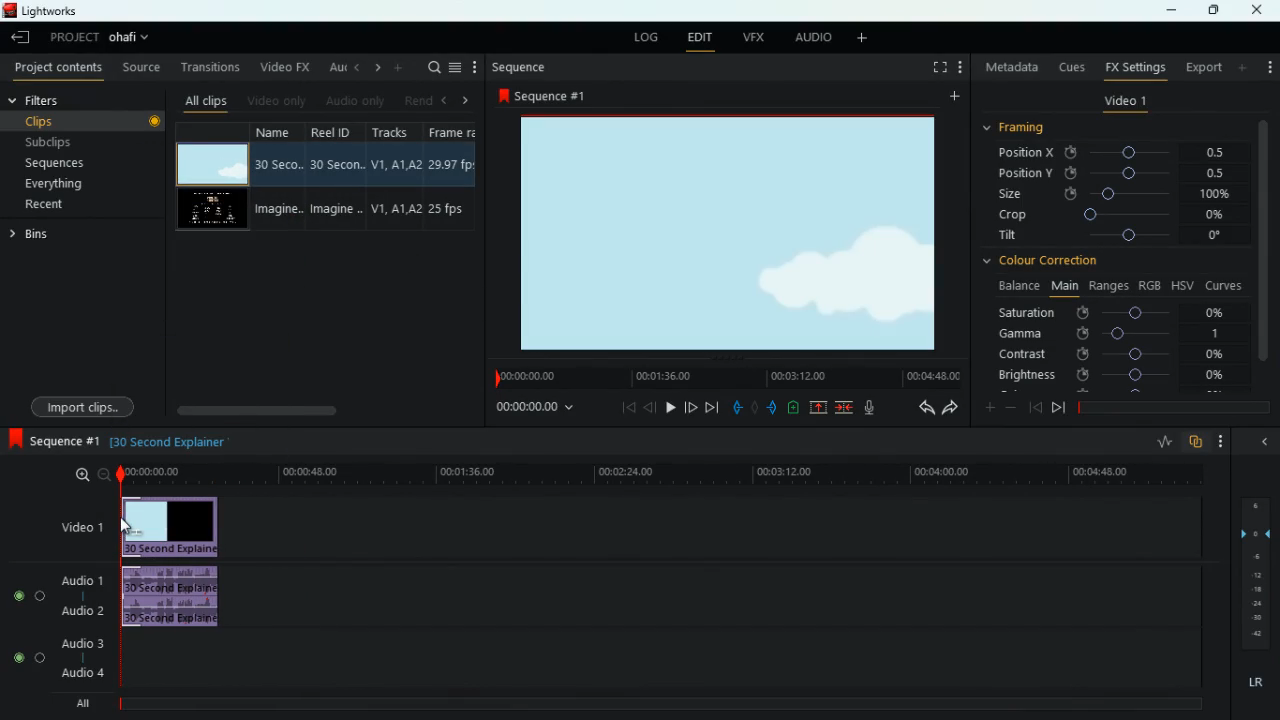  I want to click on minimize, so click(1175, 10).